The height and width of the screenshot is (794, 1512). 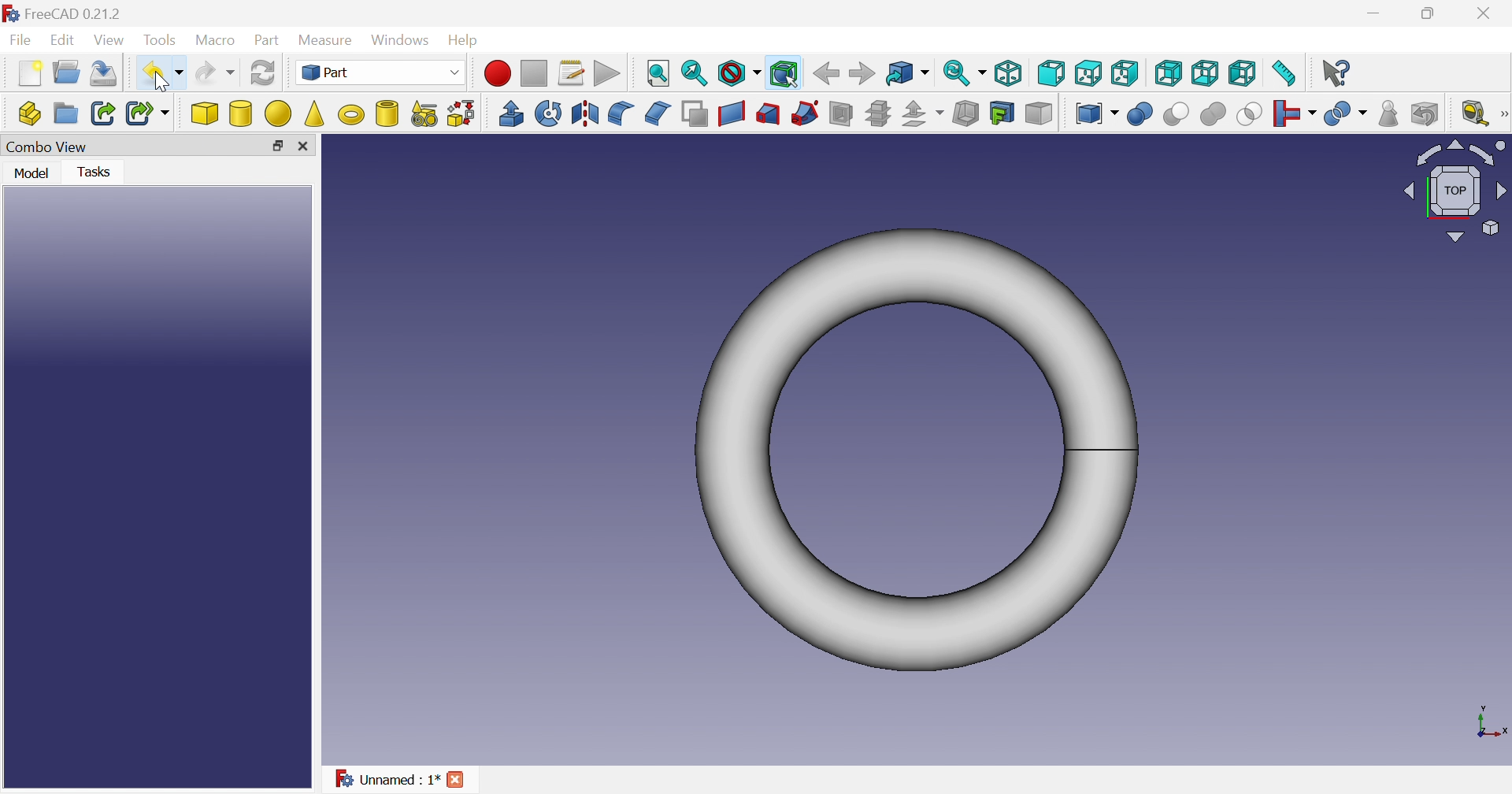 I want to click on Redo, so click(x=215, y=72).